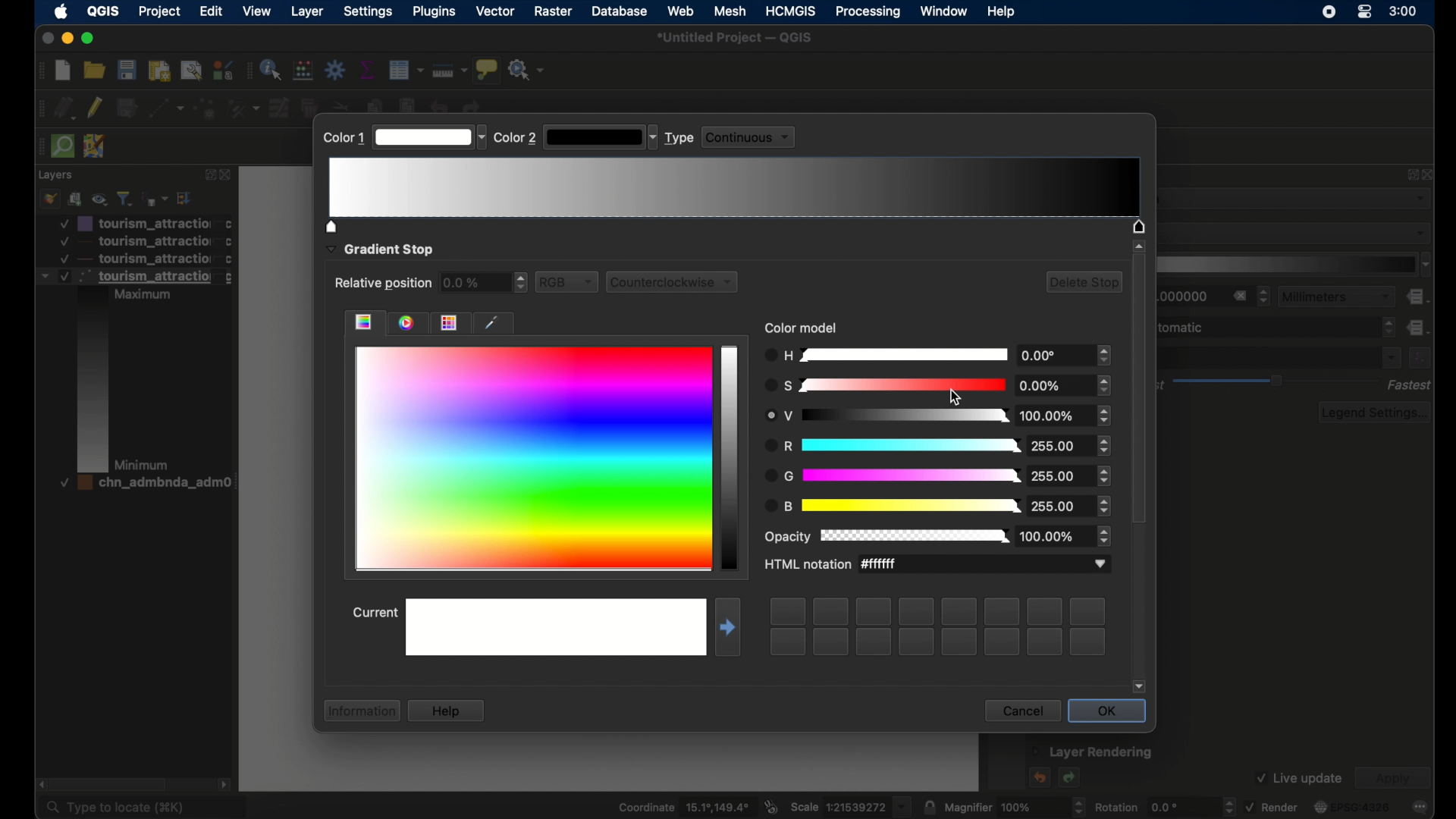 The height and width of the screenshot is (819, 1456). What do you see at coordinates (516, 138) in the screenshot?
I see `color 2` at bounding box center [516, 138].